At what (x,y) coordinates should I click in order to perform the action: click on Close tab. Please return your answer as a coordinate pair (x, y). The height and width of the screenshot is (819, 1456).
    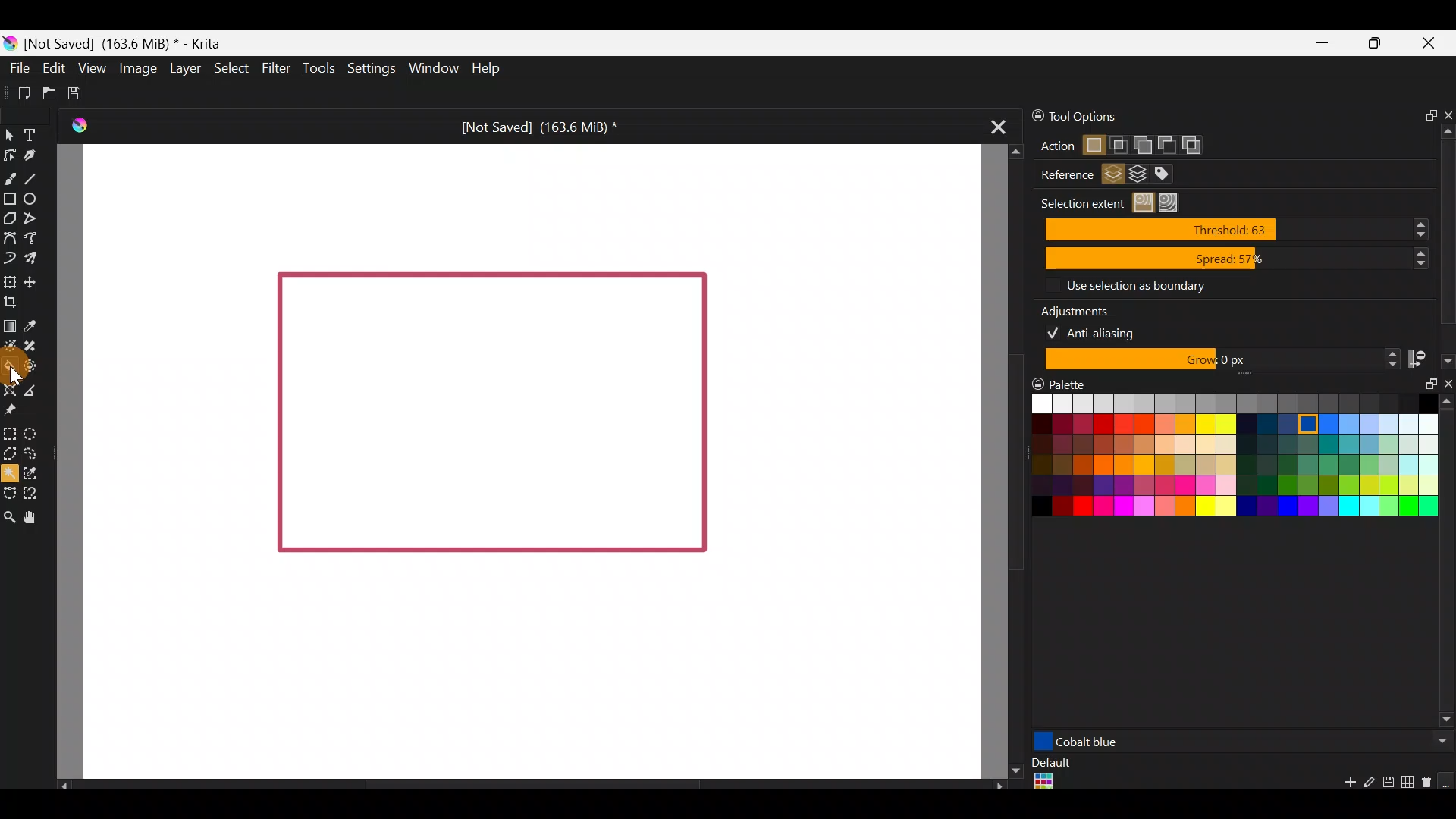
    Looking at the image, I should click on (999, 131).